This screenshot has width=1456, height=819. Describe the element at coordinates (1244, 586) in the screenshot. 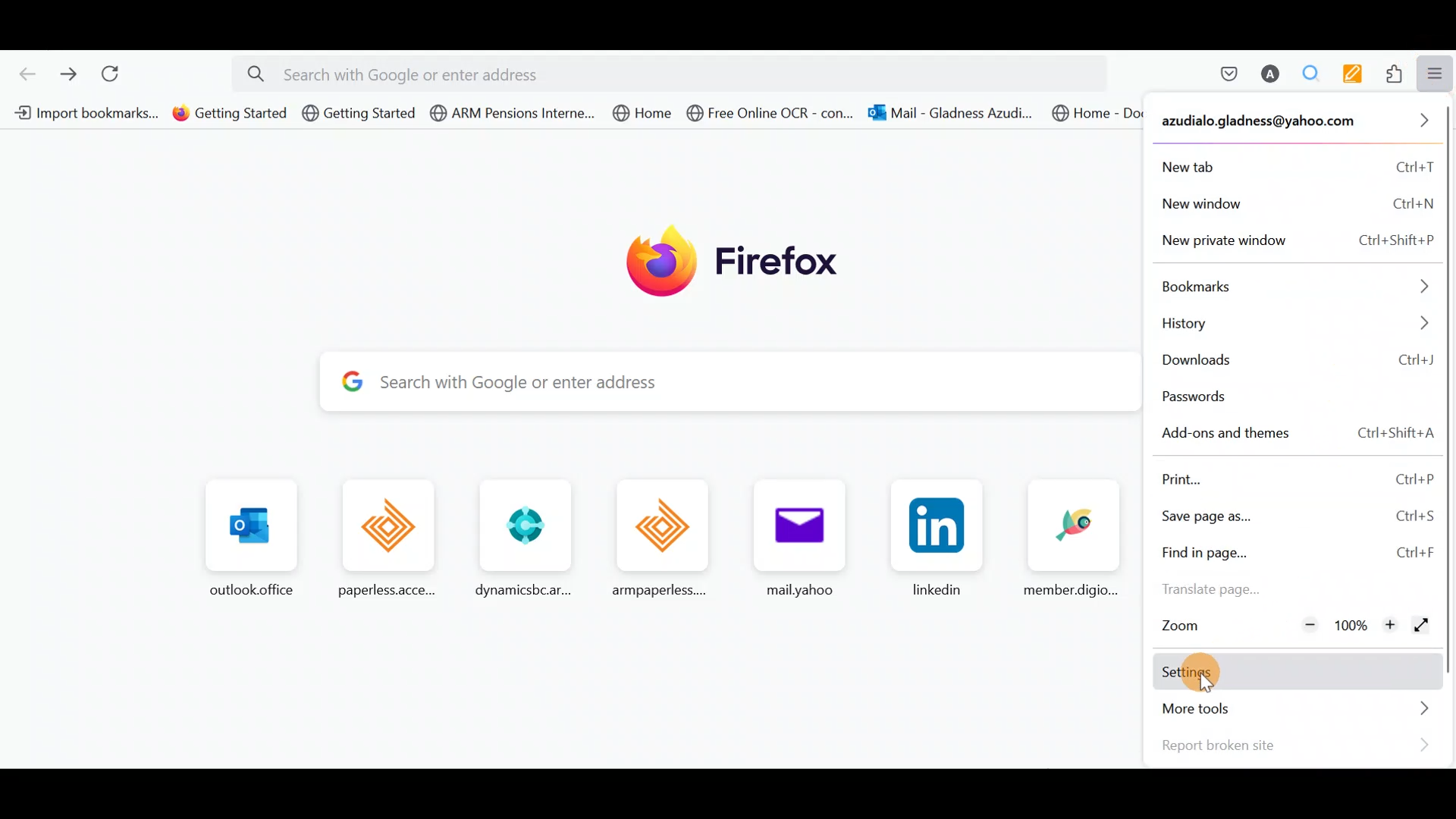

I see `Translate page` at that location.